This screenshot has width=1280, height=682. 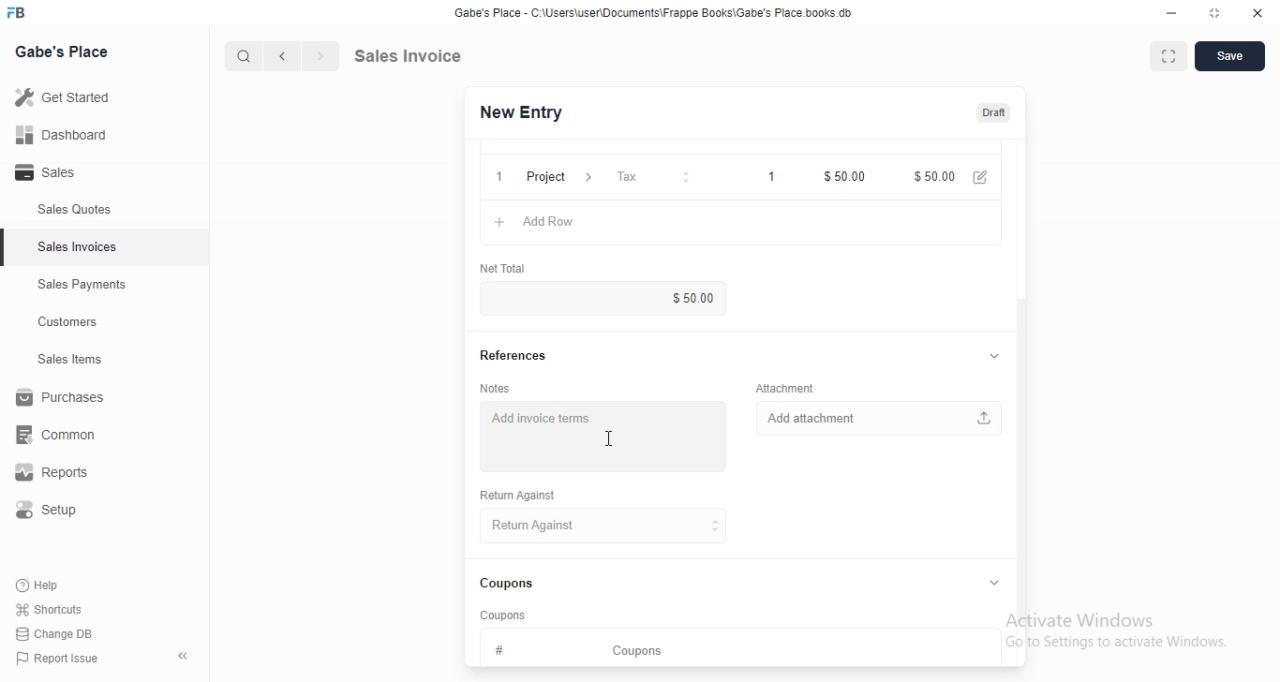 What do you see at coordinates (994, 584) in the screenshot?
I see `collapse/expand` at bounding box center [994, 584].